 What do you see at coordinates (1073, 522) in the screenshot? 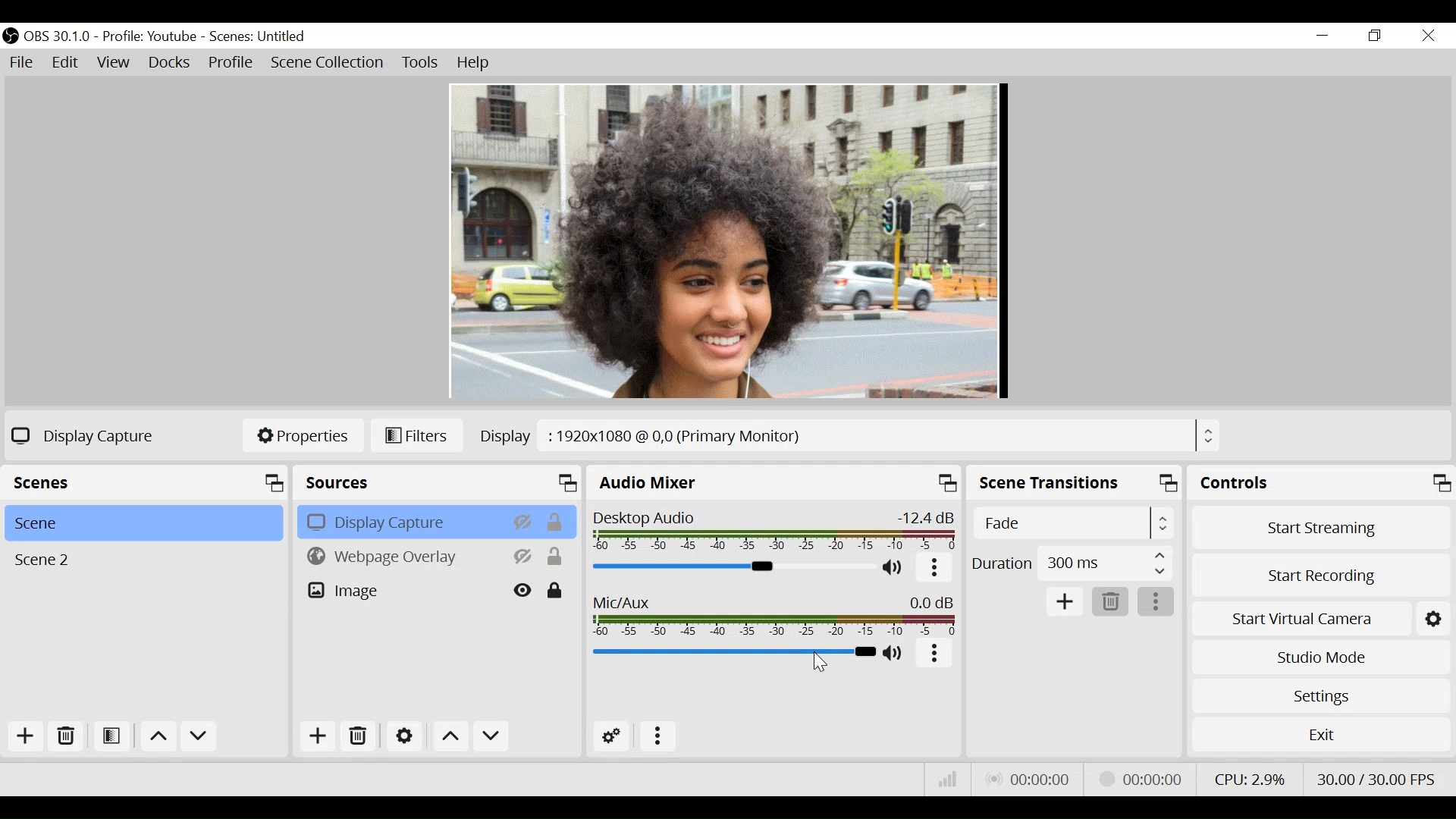
I see `Select Scene Transitions` at bounding box center [1073, 522].